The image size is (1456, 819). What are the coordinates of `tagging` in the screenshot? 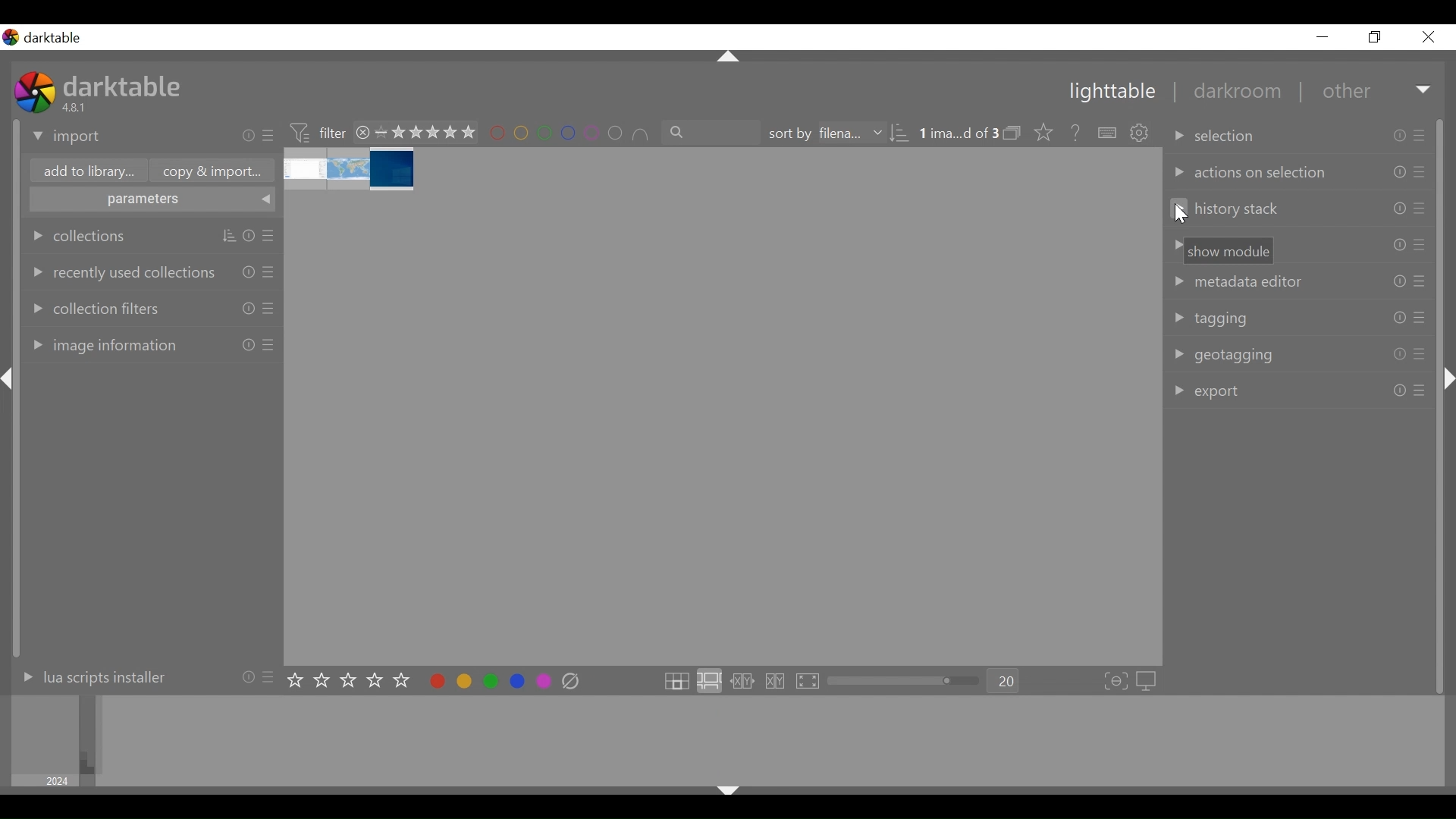 It's located at (1211, 318).